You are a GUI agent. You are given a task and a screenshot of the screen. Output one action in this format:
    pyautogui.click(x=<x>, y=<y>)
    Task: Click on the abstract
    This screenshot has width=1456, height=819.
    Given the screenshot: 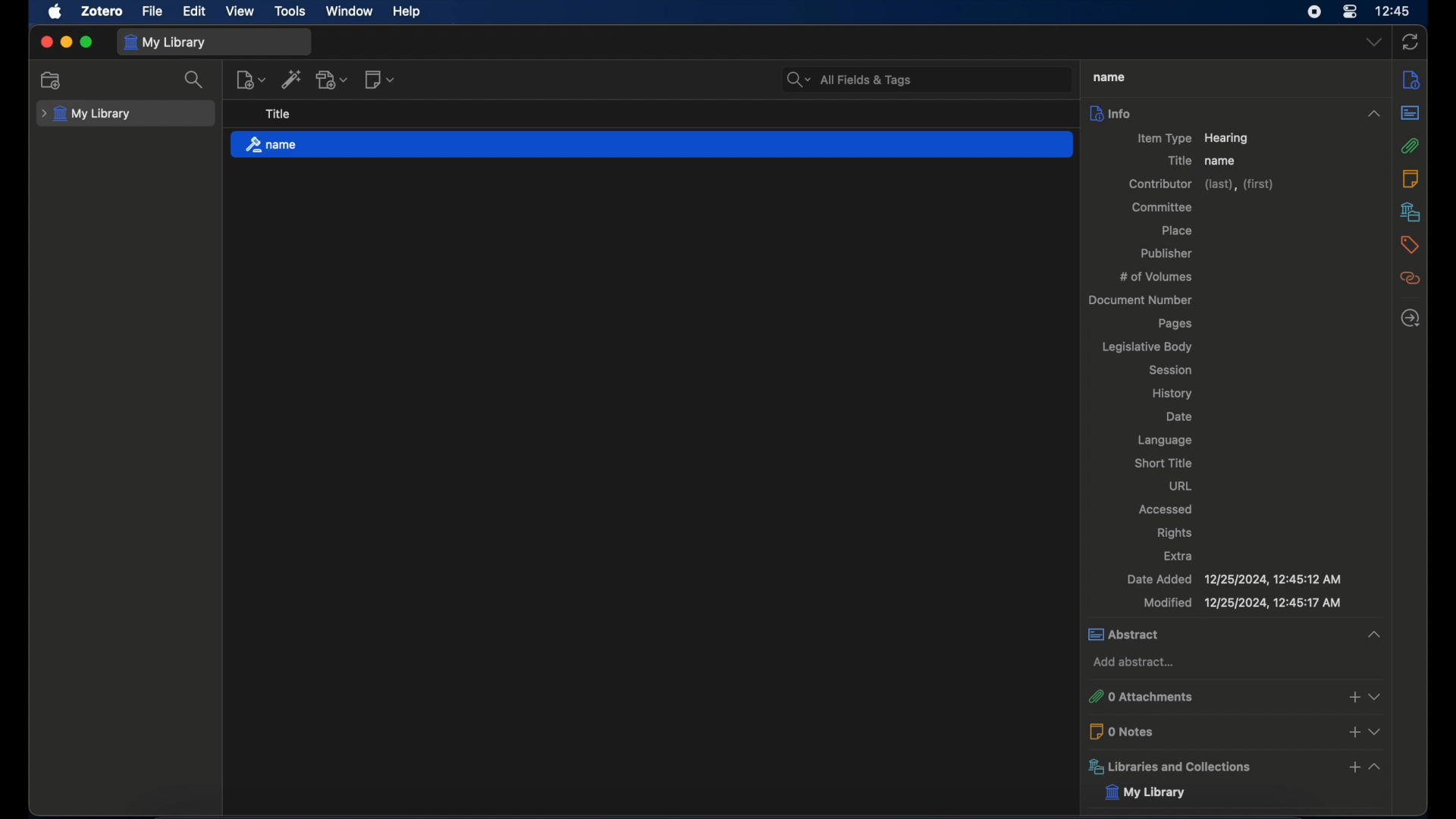 What is the action you would take?
    pyautogui.click(x=1411, y=112)
    